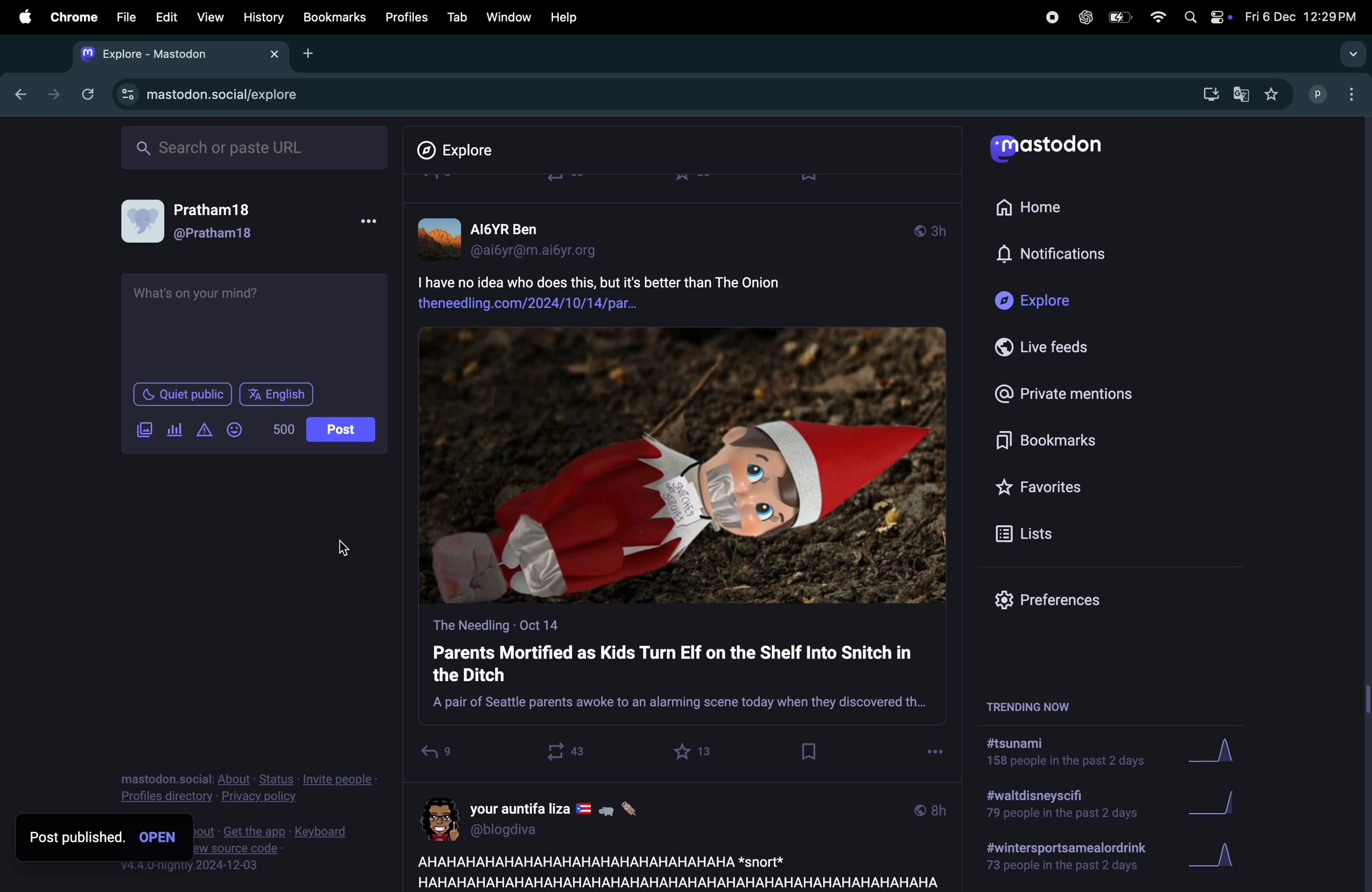 This screenshot has width=1372, height=892. What do you see at coordinates (1271, 95) in the screenshot?
I see `favourites` at bounding box center [1271, 95].